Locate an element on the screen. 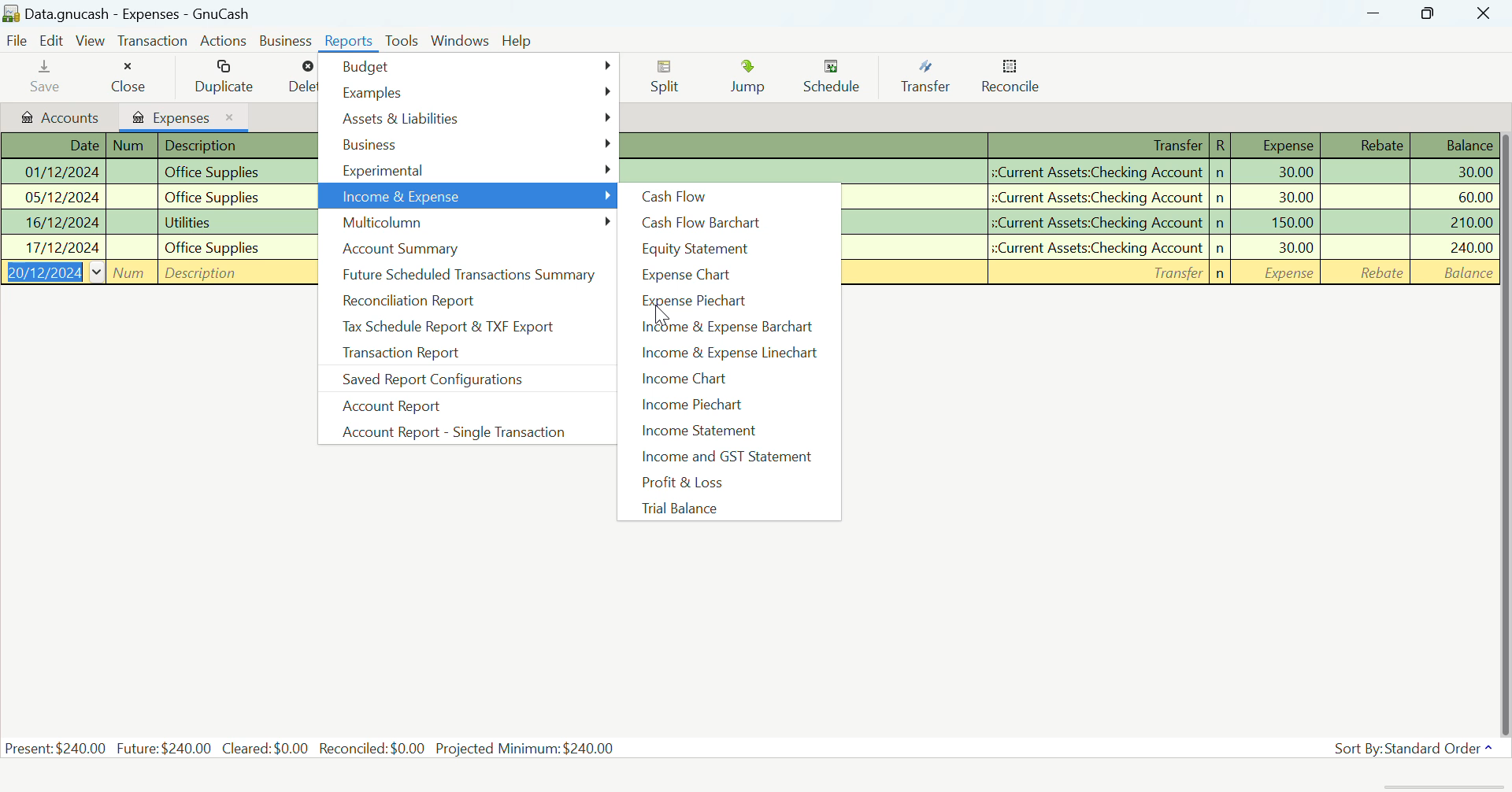 This screenshot has height=792, width=1512. Help is located at coordinates (518, 39).